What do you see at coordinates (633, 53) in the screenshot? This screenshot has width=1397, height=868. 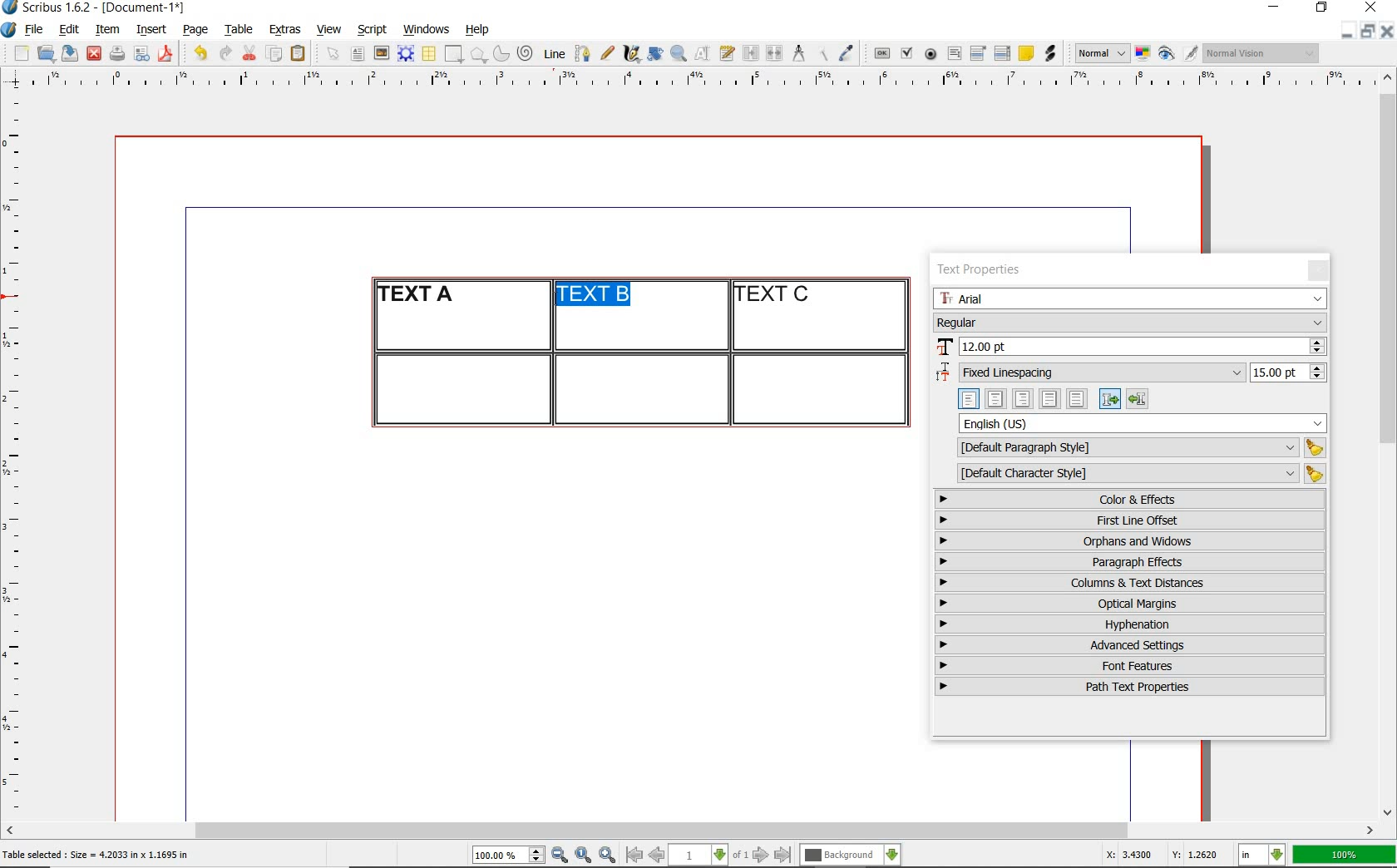 I see `calligraphic line` at bounding box center [633, 53].